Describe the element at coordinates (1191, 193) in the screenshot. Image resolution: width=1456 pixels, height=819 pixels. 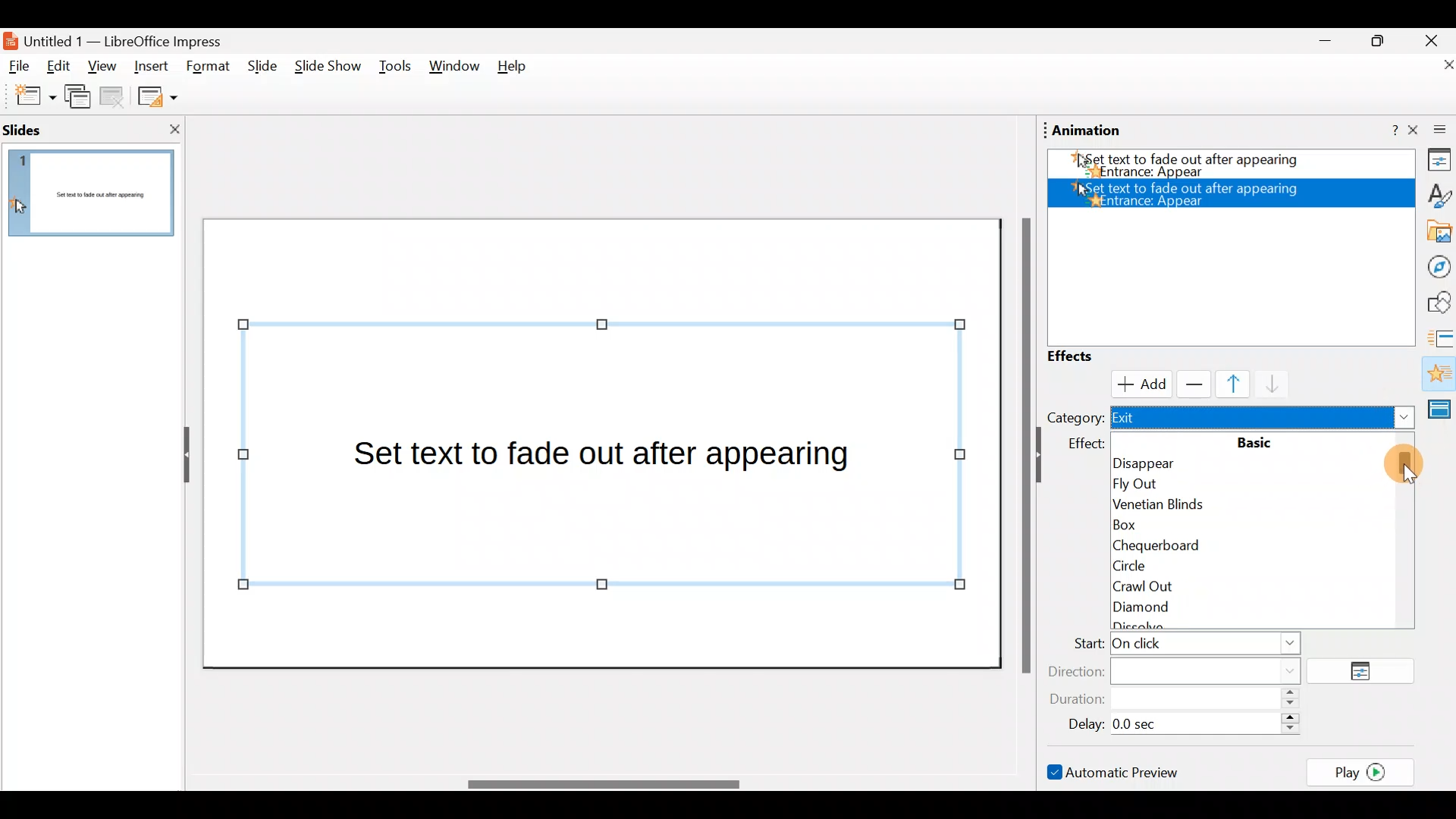
I see `Appear effect added` at that location.